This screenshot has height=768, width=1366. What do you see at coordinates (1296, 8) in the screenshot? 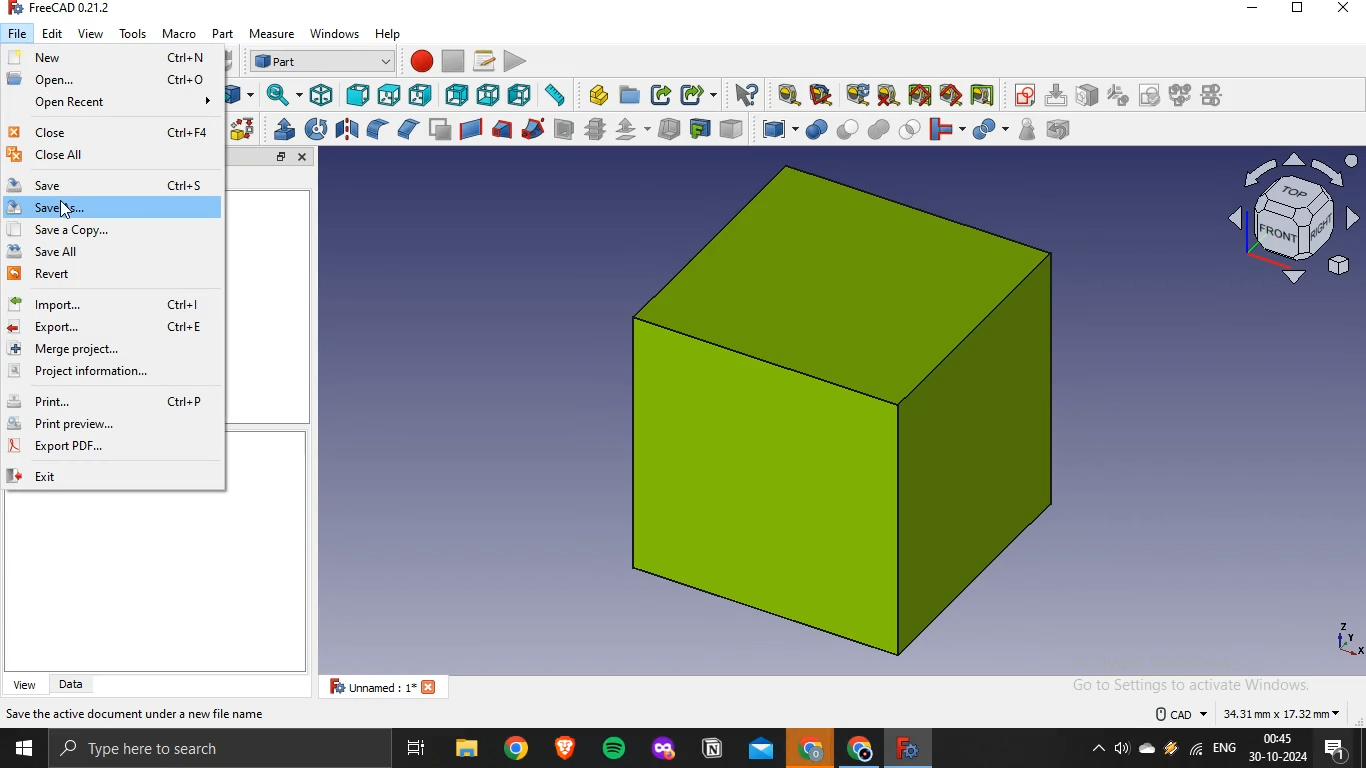
I see `restore` at bounding box center [1296, 8].